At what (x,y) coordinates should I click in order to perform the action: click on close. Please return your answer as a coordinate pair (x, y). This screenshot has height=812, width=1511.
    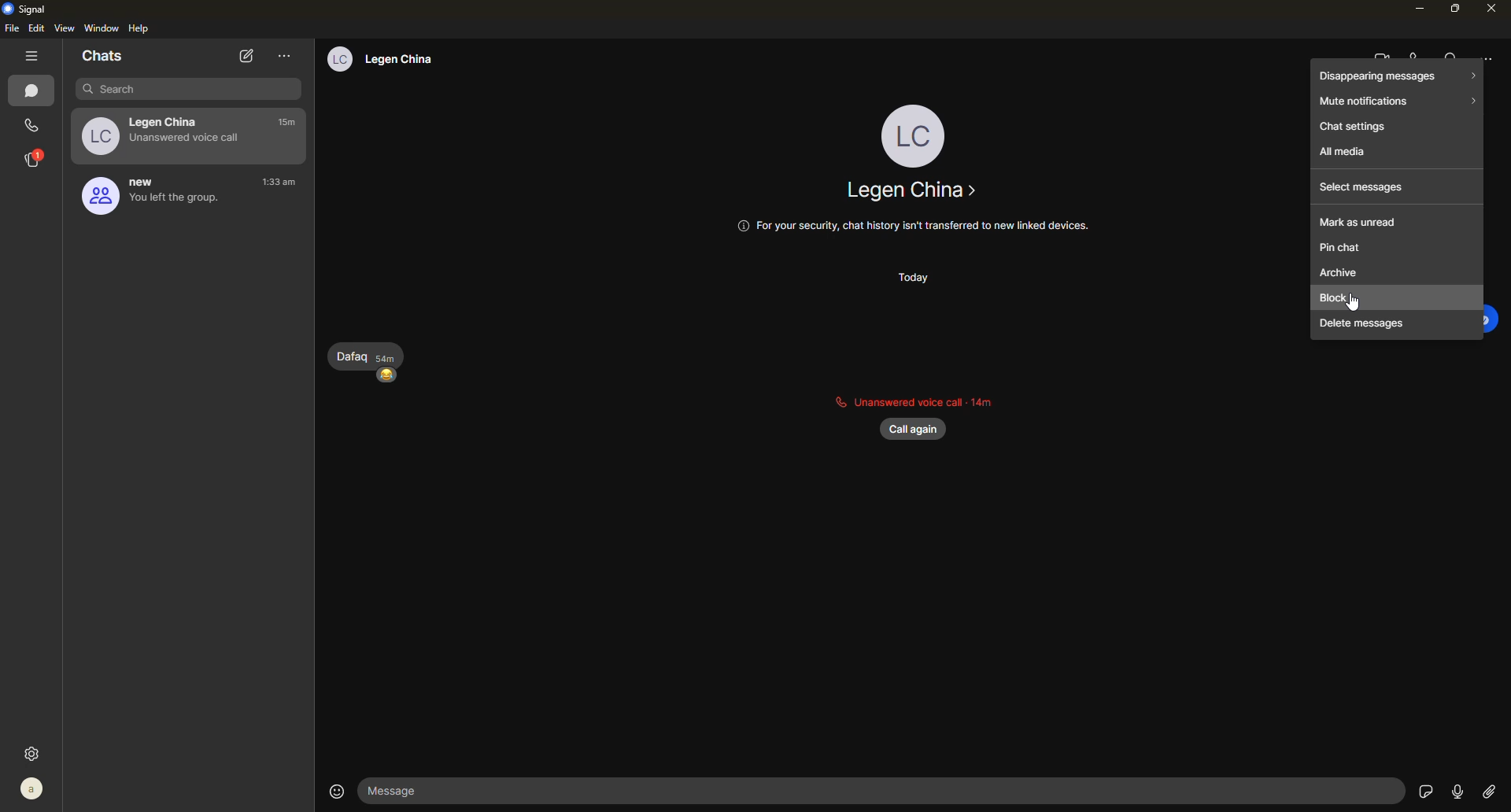
    Looking at the image, I should click on (1486, 8).